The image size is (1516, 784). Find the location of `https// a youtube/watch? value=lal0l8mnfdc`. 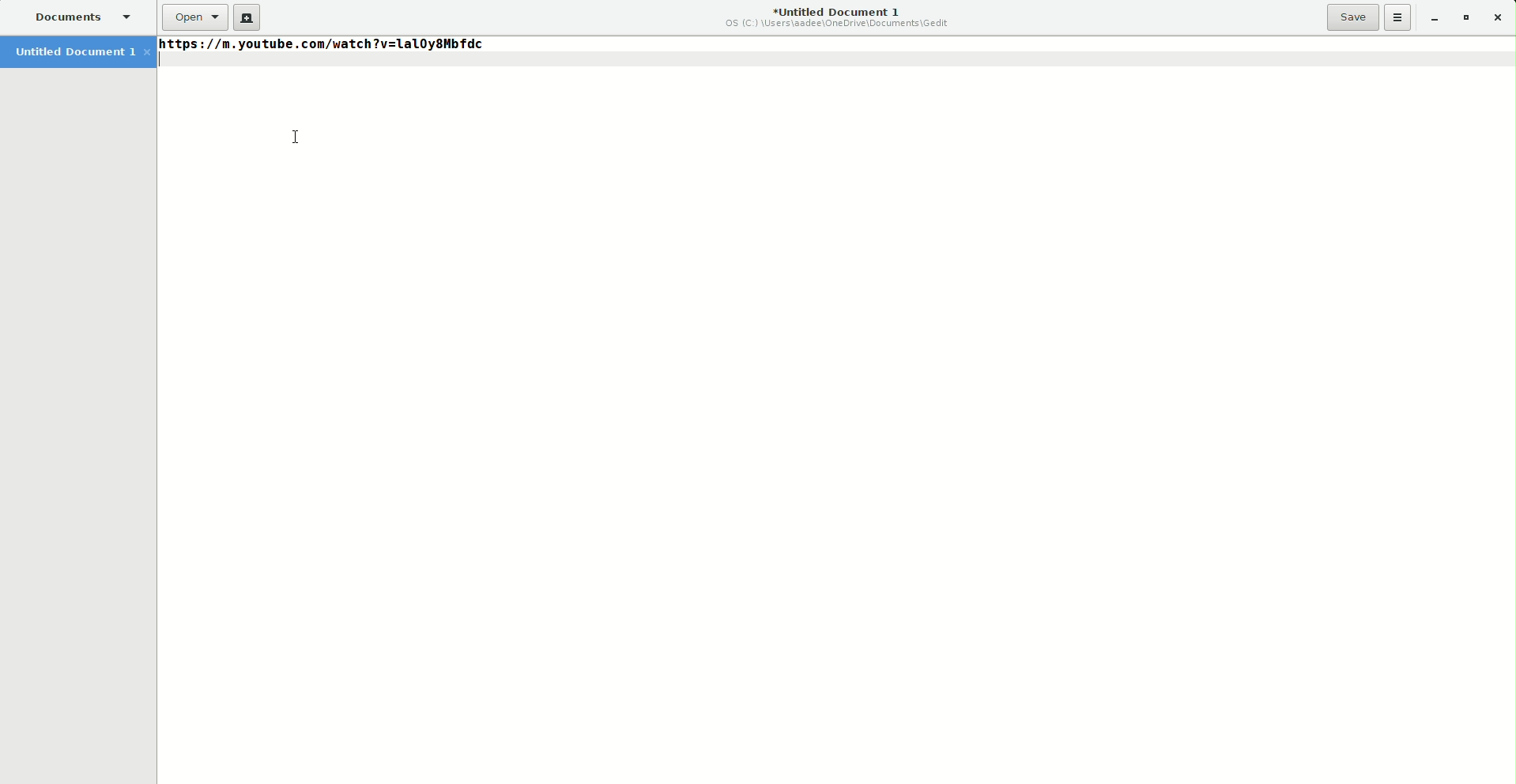

https// a youtube/watch? value=lal0l8mnfdc is located at coordinates (322, 48).